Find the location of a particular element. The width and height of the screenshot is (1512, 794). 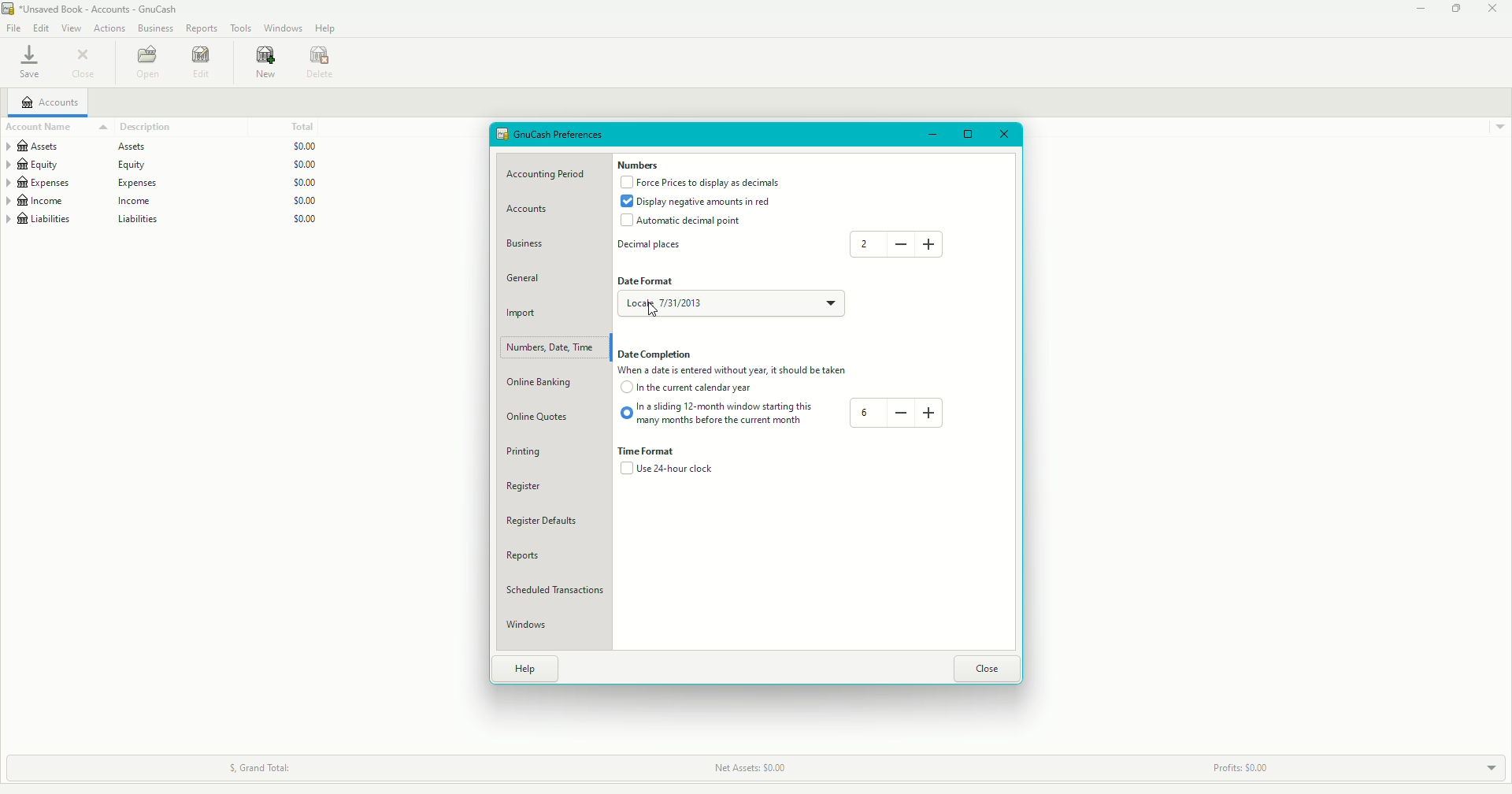

Automatic decimal is located at coordinates (682, 221).